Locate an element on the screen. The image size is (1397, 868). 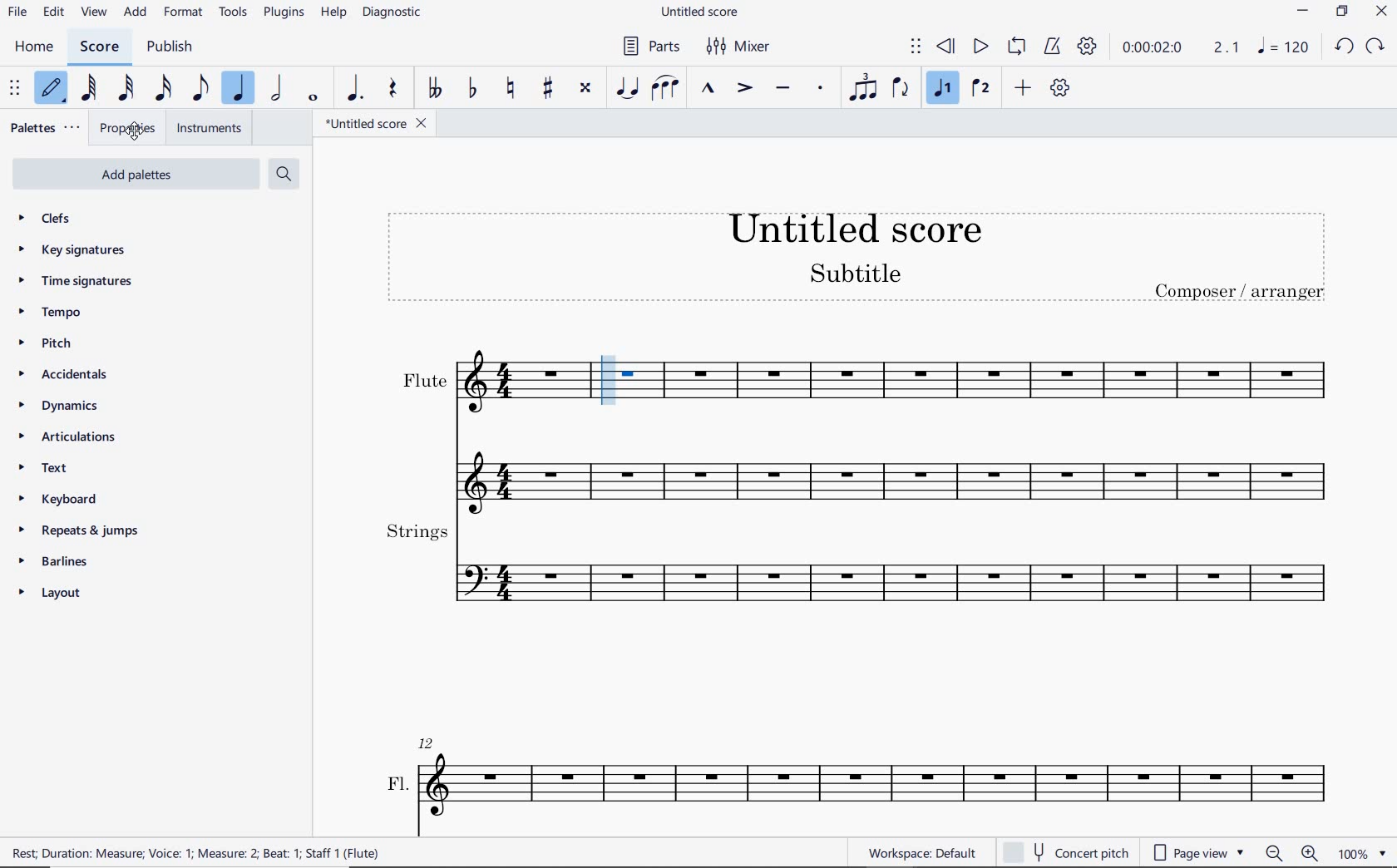
view is located at coordinates (91, 13).